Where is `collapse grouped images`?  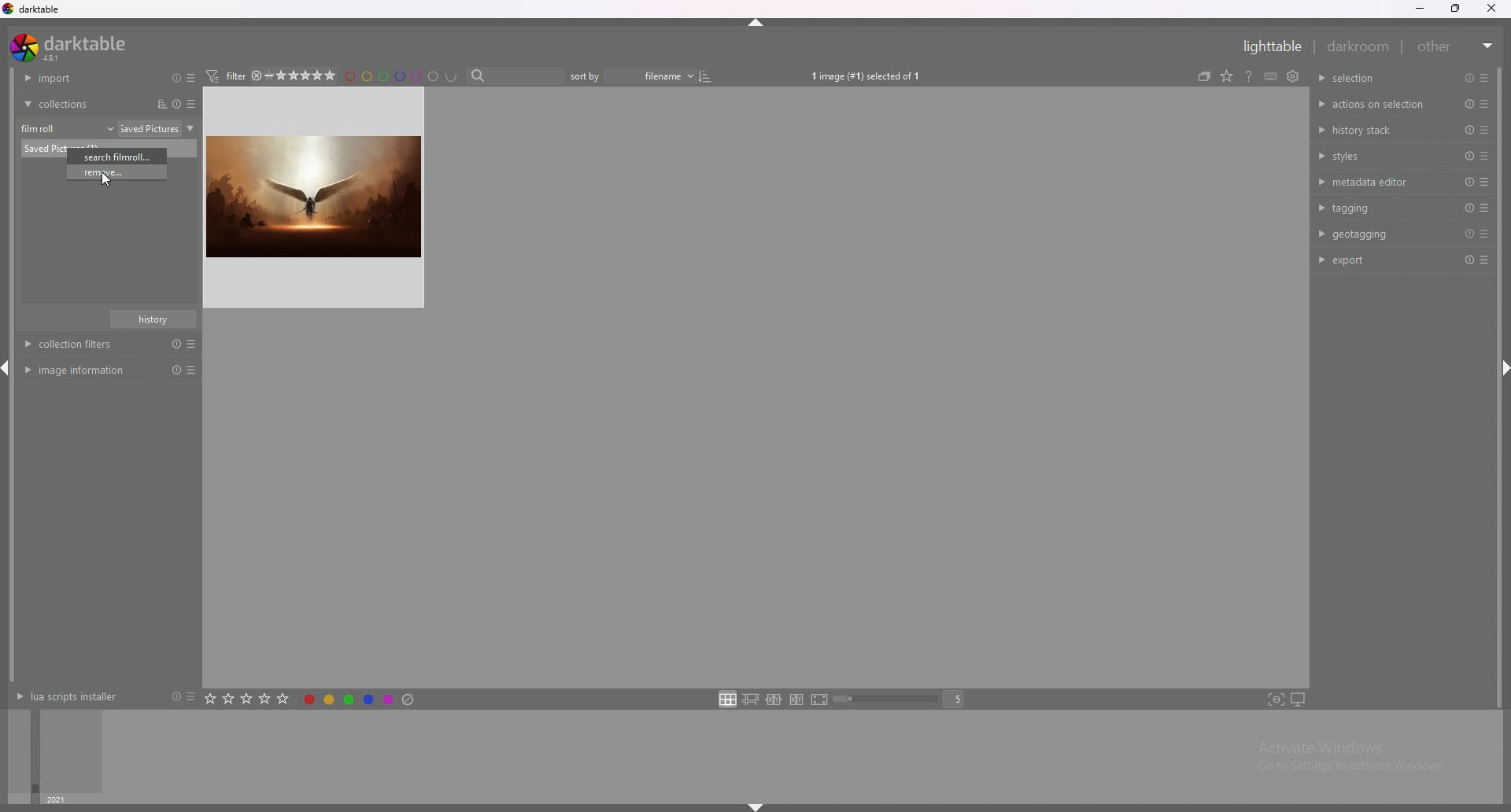
collapse grouped images is located at coordinates (1222, 76).